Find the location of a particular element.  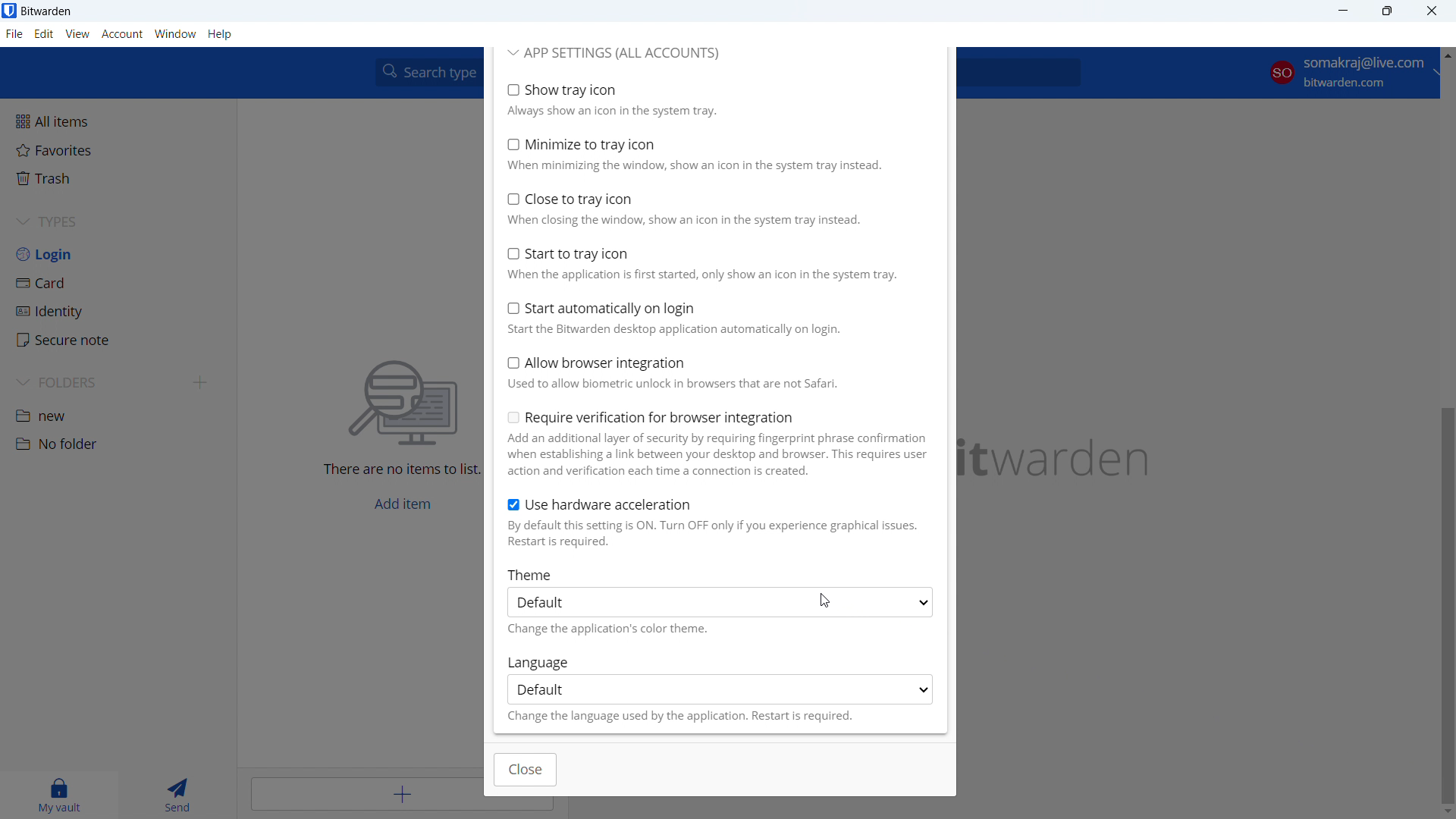

login is located at coordinates (118, 254).